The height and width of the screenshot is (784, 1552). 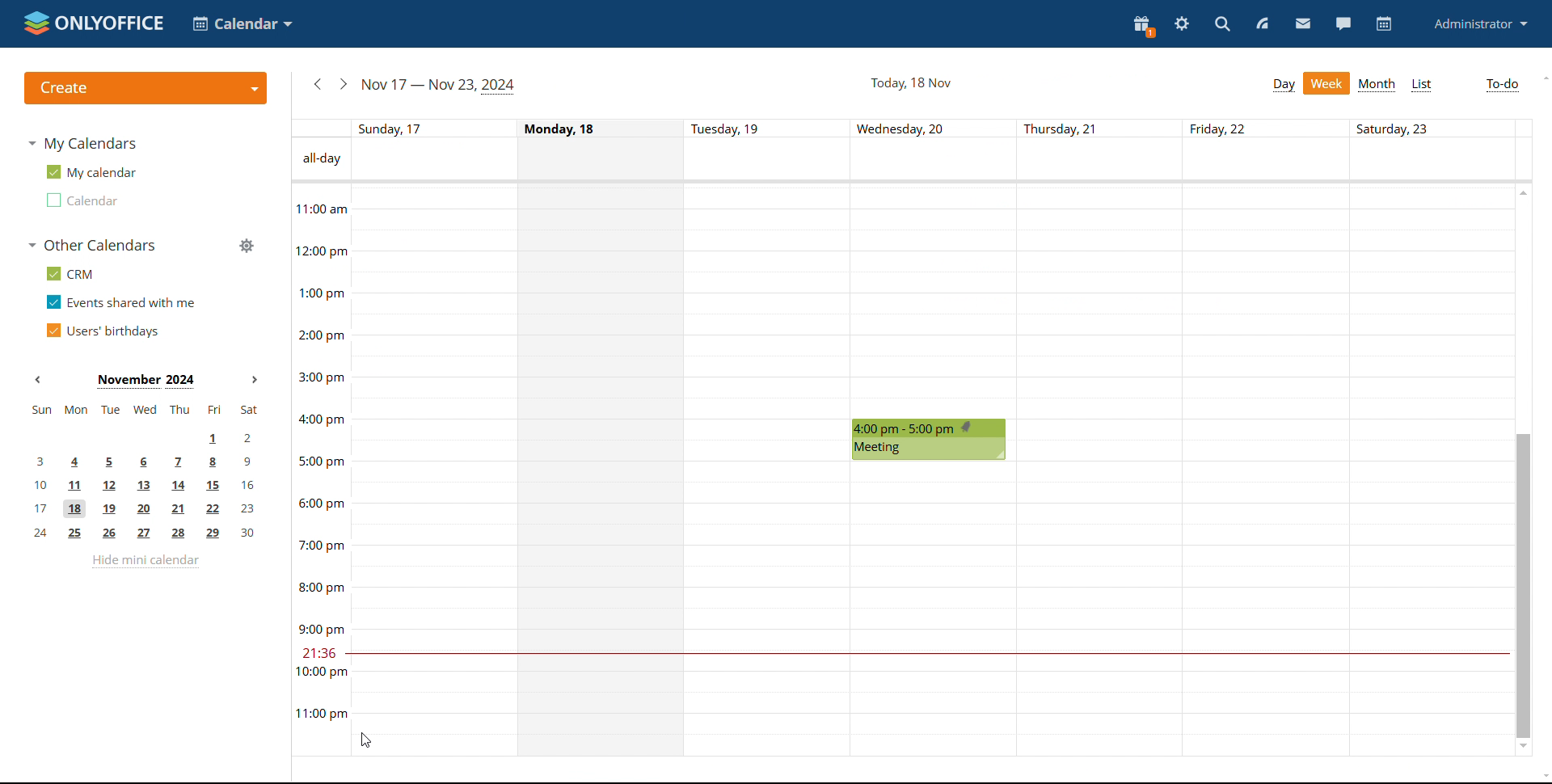 I want to click on week view, so click(x=1326, y=83).